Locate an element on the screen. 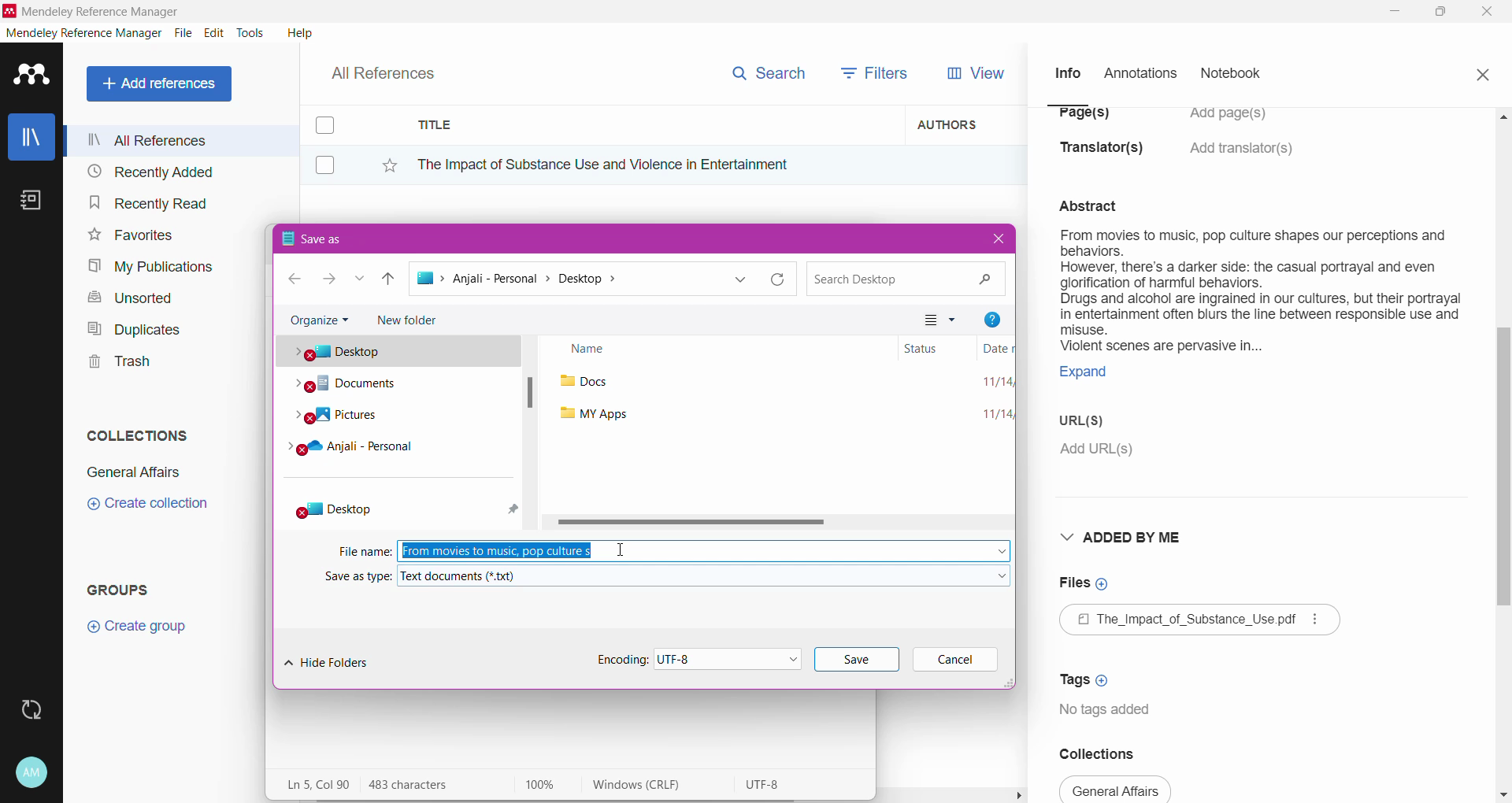 This screenshot has width=1512, height=803. Click to Add Tags is located at coordinates (1088, 675).